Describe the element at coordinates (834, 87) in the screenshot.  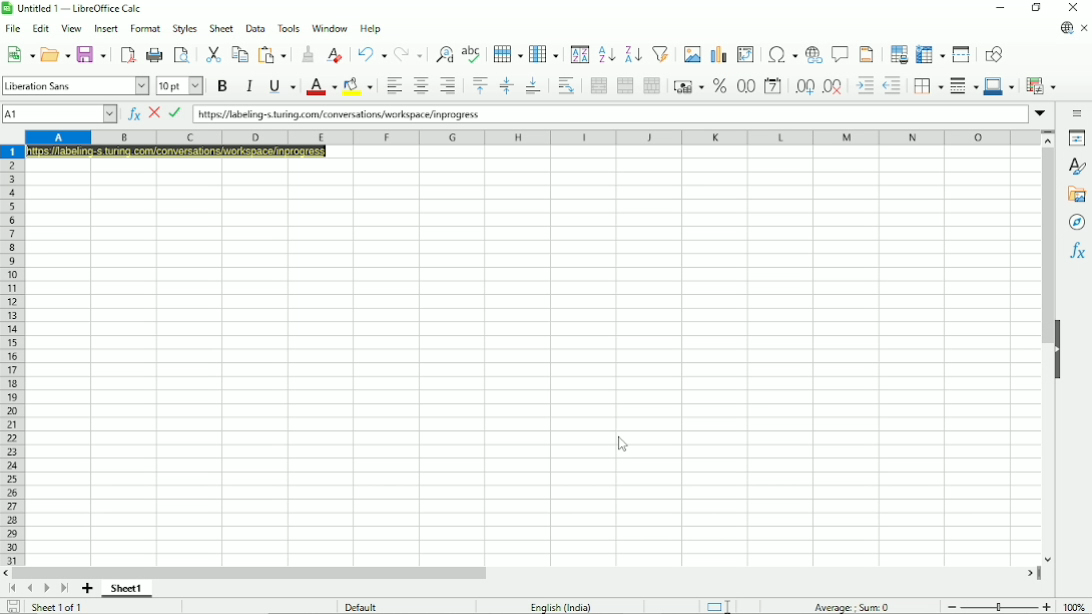
I see `Delete decimal place` at that location.